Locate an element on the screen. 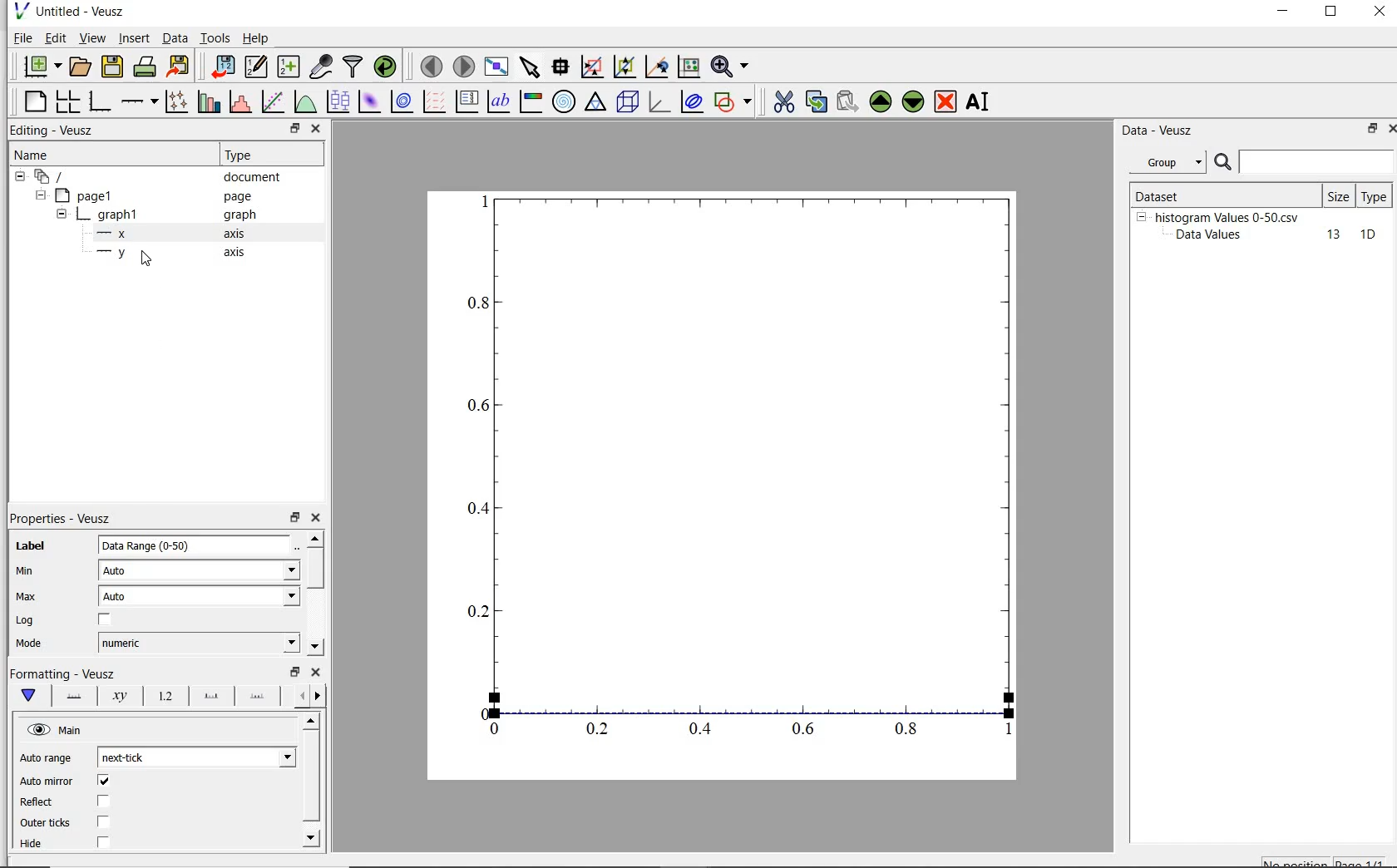 The image size is (1397, 868).  Auto range is located at coordinates (47, 759).